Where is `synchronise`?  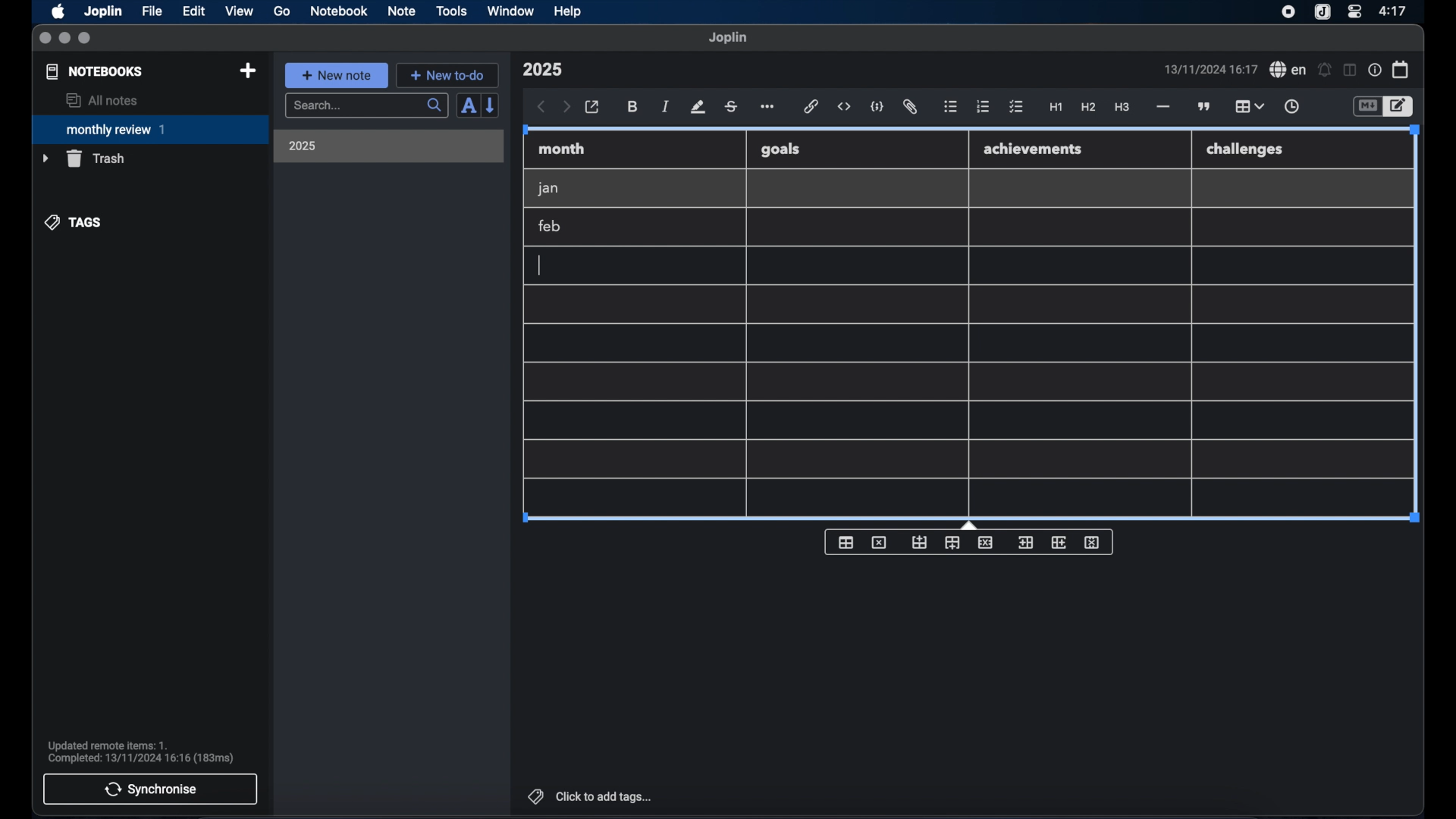 synchronise is located at coordinates (150, 789).